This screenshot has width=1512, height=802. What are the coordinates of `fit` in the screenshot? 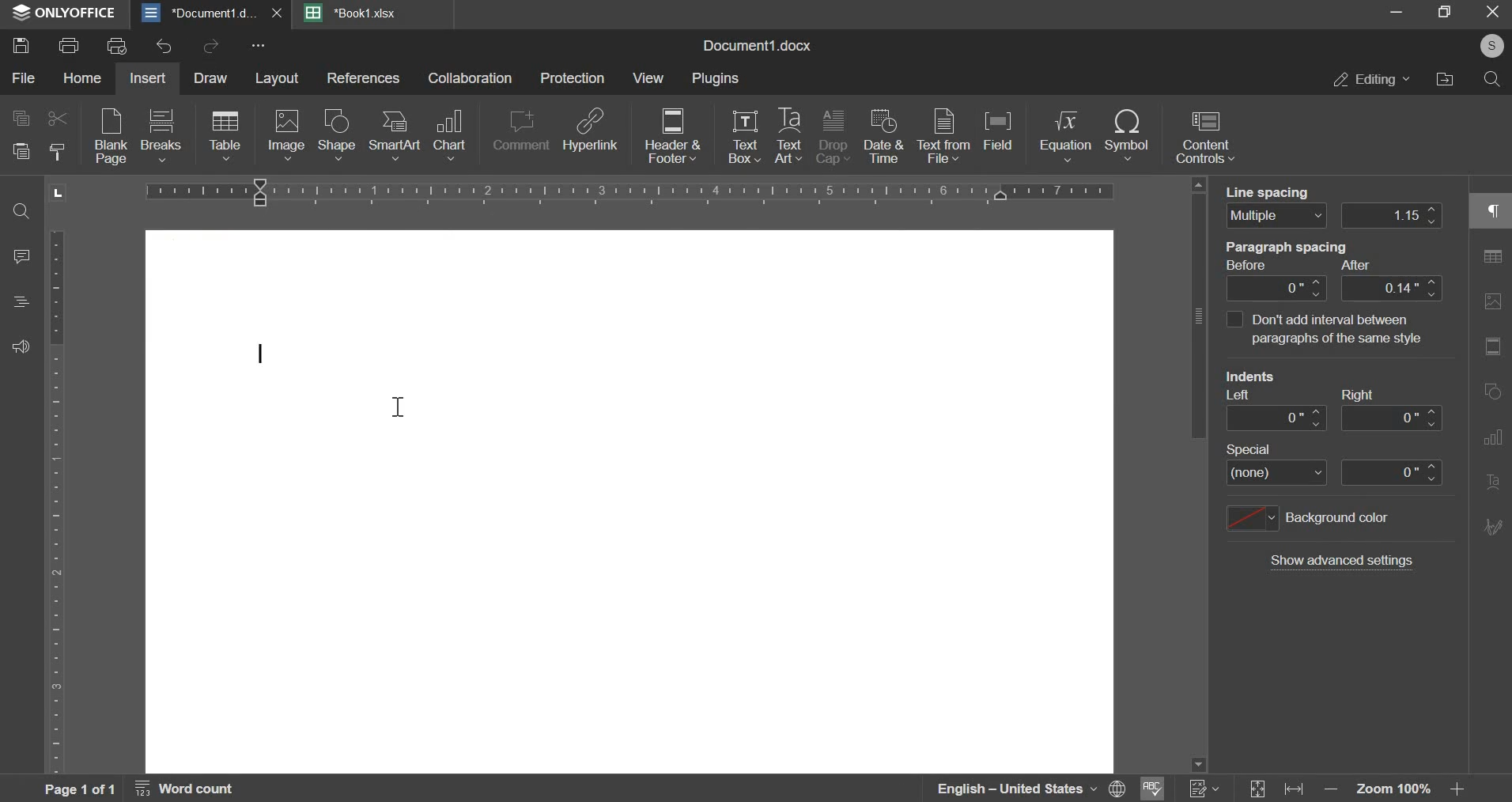 It's located at (1277, 788).